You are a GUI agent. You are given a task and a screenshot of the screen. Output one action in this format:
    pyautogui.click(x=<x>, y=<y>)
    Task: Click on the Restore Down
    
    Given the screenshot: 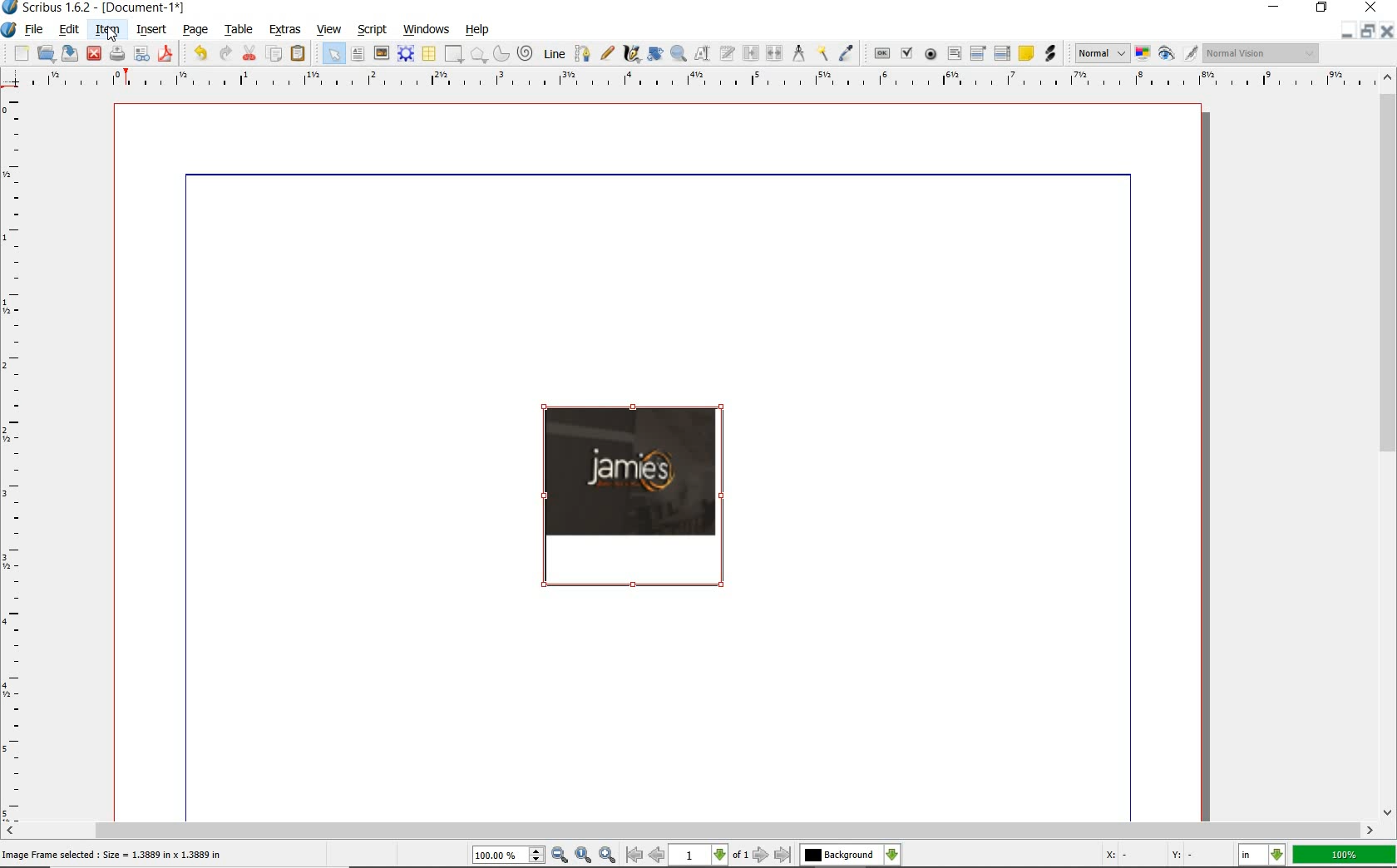 What is the action you would take?
    pyautogui.click(x=1343, y=31)
    